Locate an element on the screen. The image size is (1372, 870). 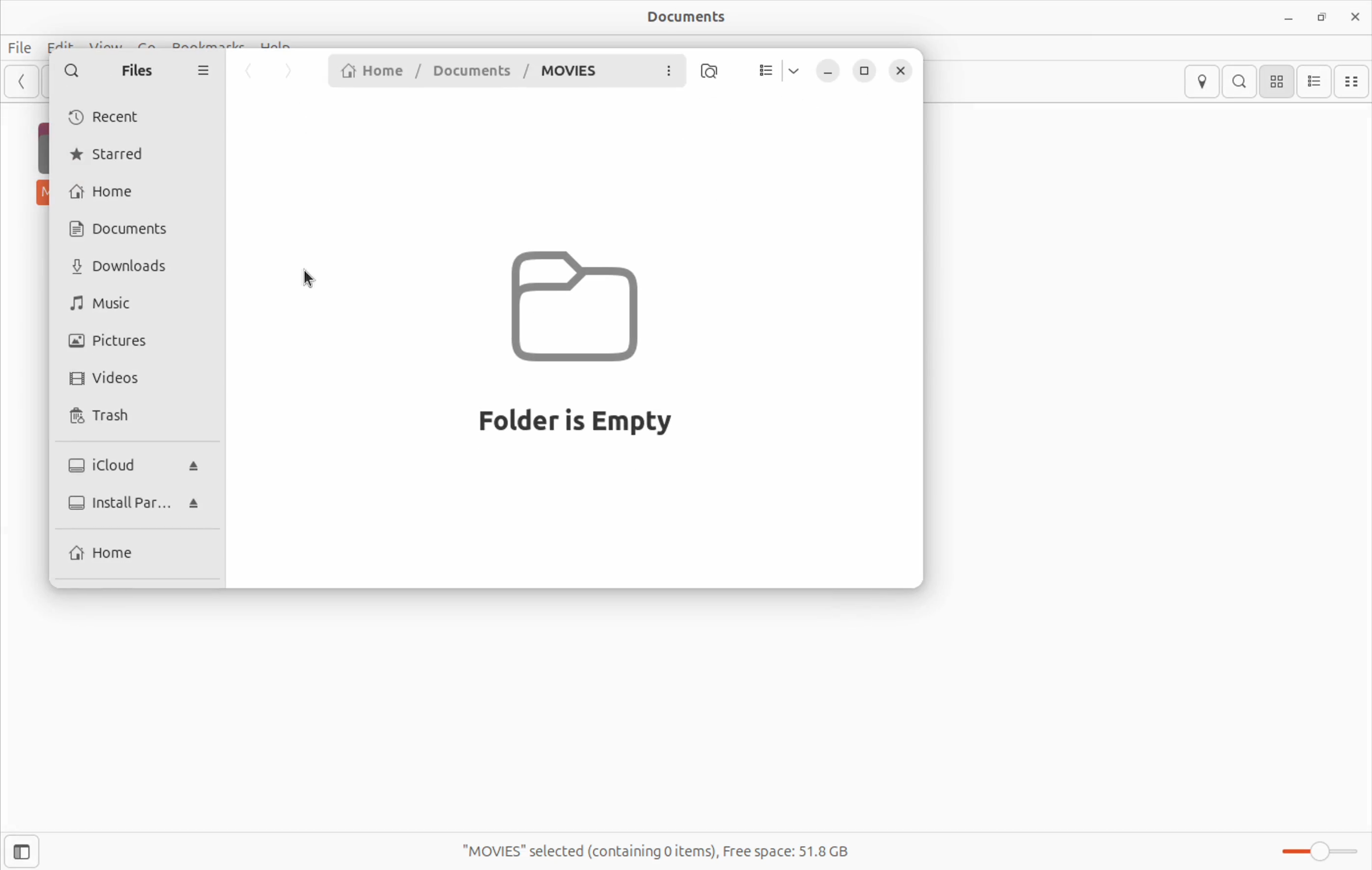
resize is located at coordinates (1322, 16).